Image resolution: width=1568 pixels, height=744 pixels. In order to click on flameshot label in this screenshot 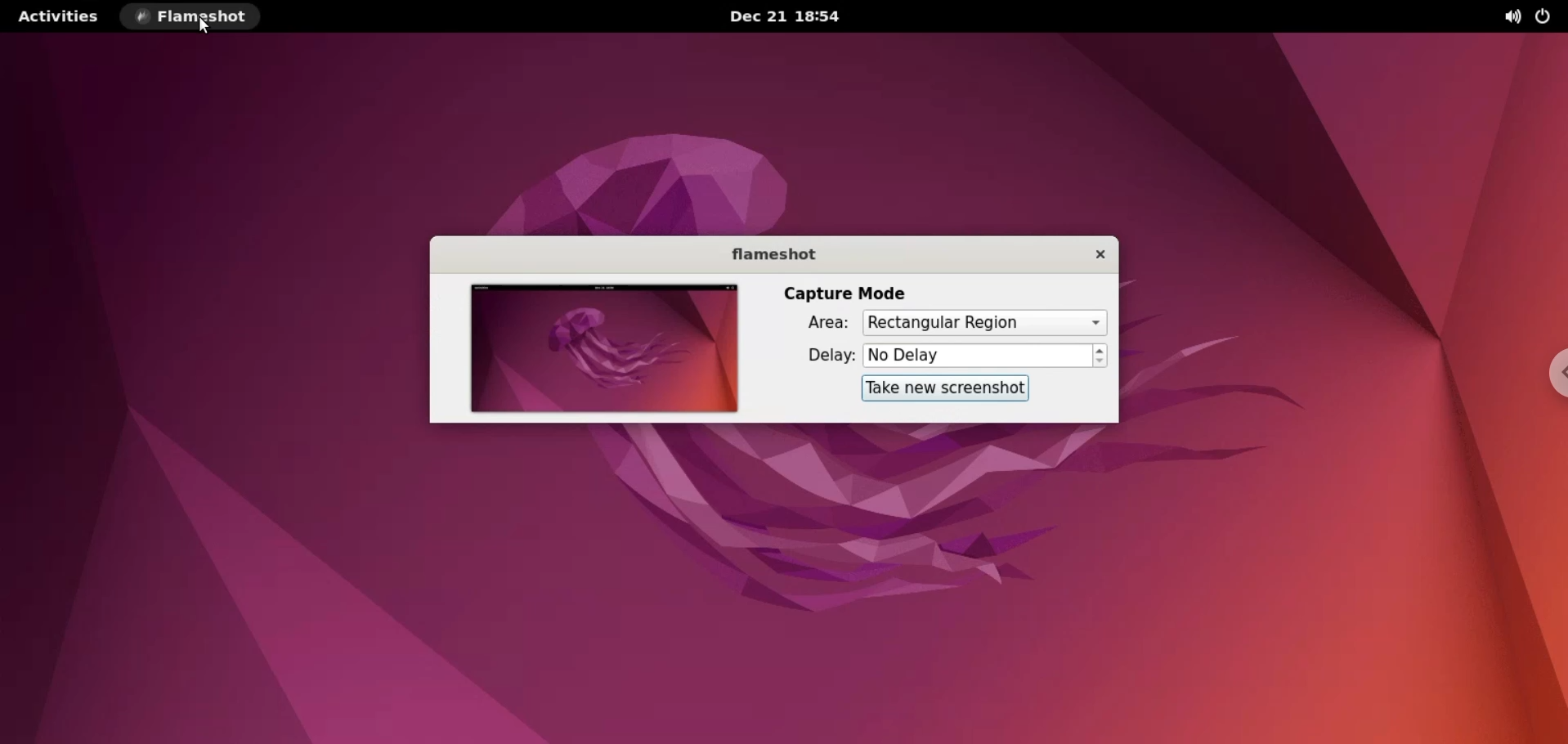, I will do `click(772, 254)`.